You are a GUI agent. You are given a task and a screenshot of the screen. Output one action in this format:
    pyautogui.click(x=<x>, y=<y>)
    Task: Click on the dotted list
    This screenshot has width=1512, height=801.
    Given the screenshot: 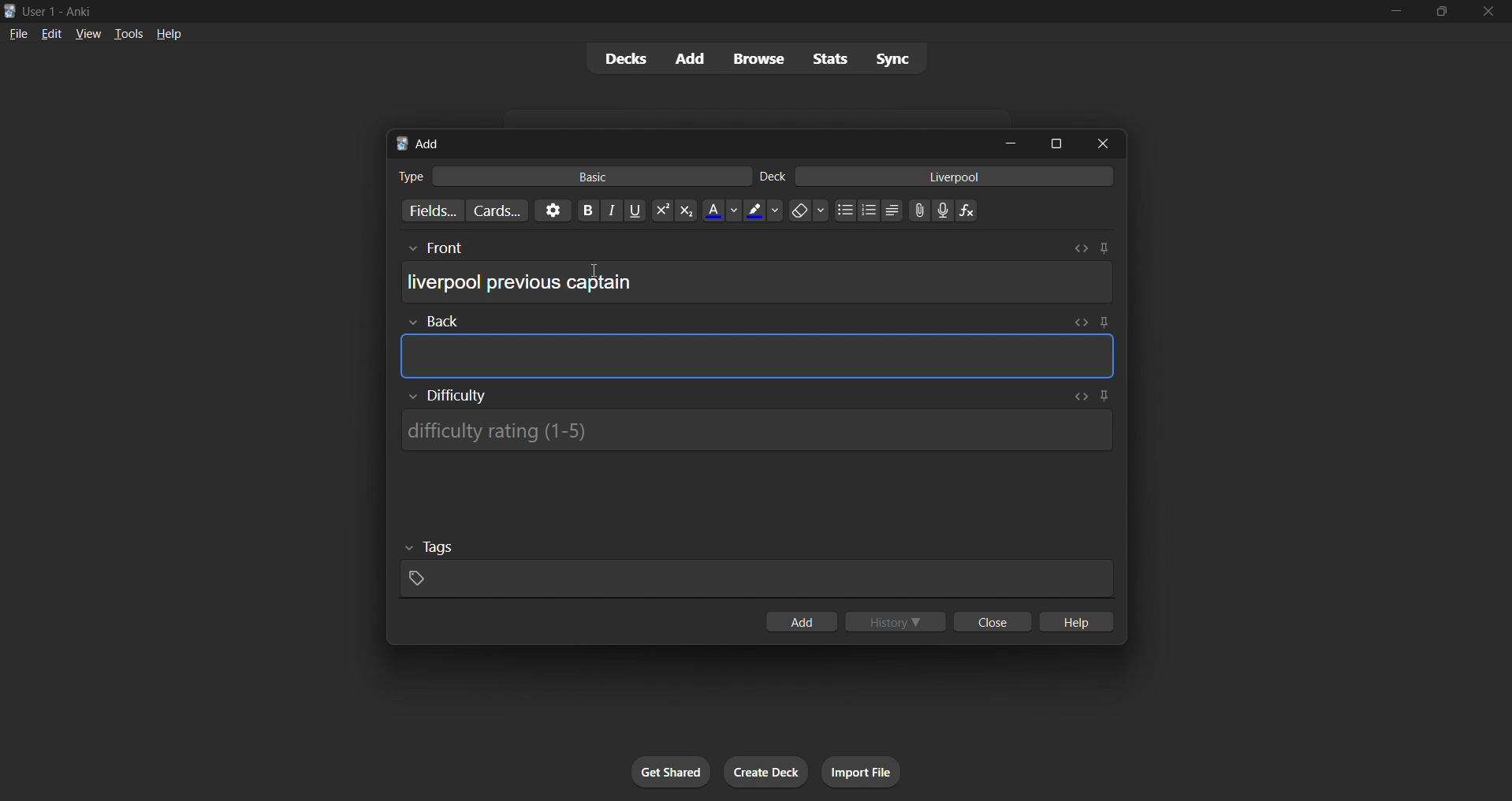 What is the action you would take?
    pyautogui.click(x=844, y=212)
    